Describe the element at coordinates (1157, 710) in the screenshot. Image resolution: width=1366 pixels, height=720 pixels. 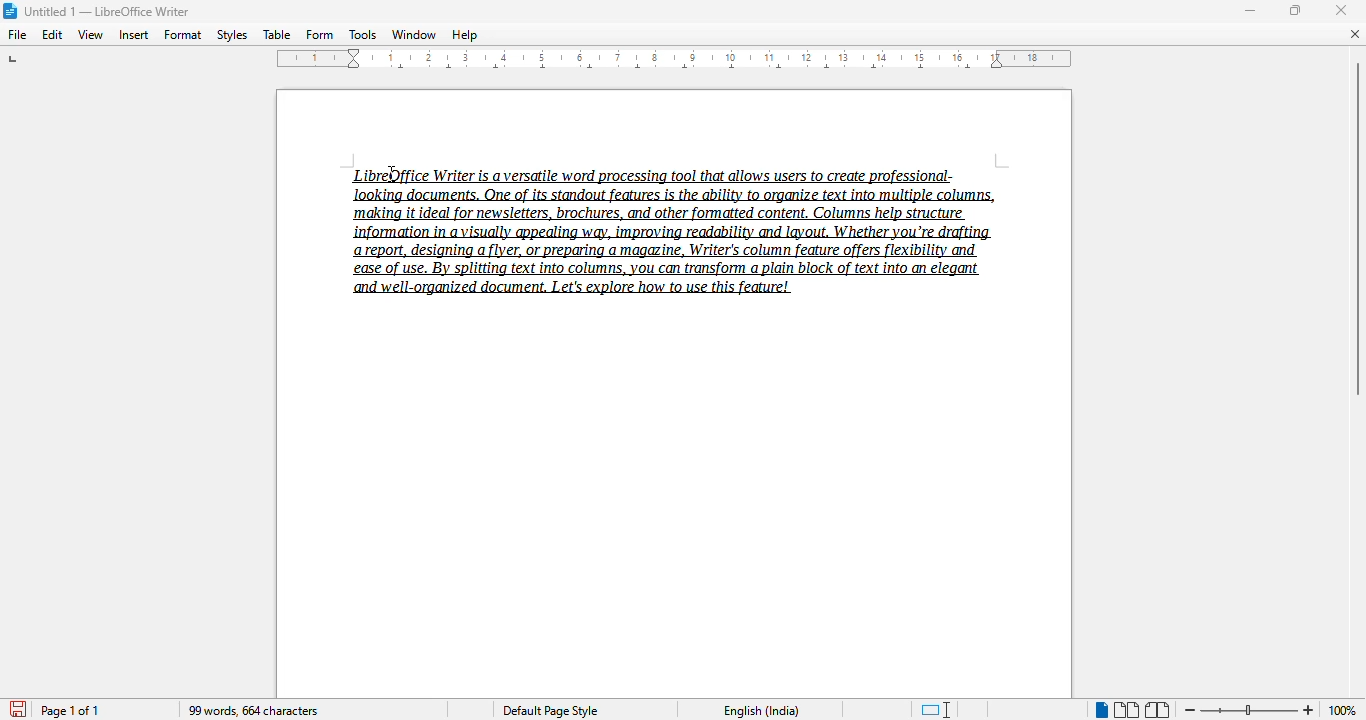
I see `book view` at that location.